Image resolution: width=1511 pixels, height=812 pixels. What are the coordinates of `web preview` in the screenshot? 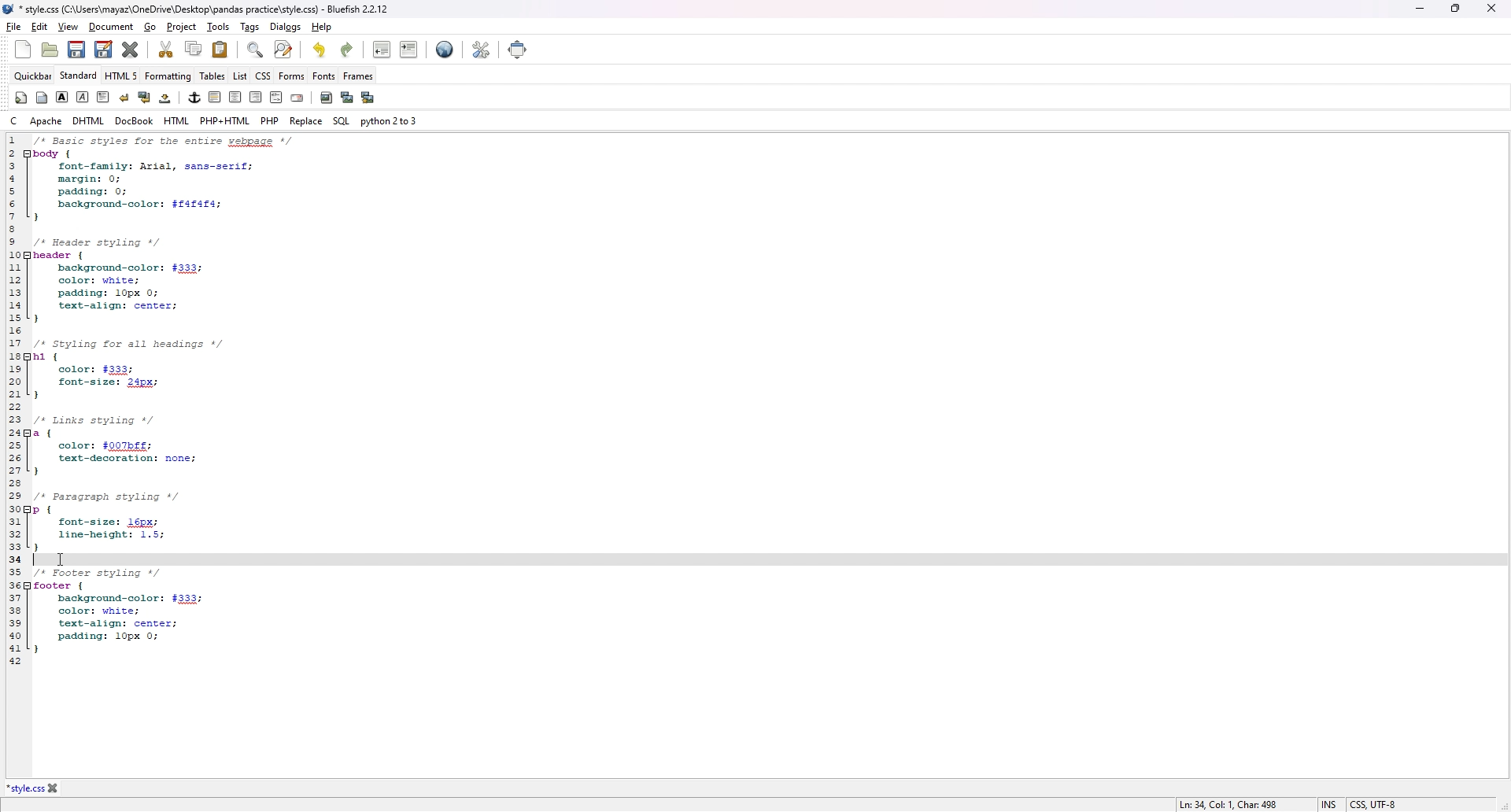 It's located at (445, 50).